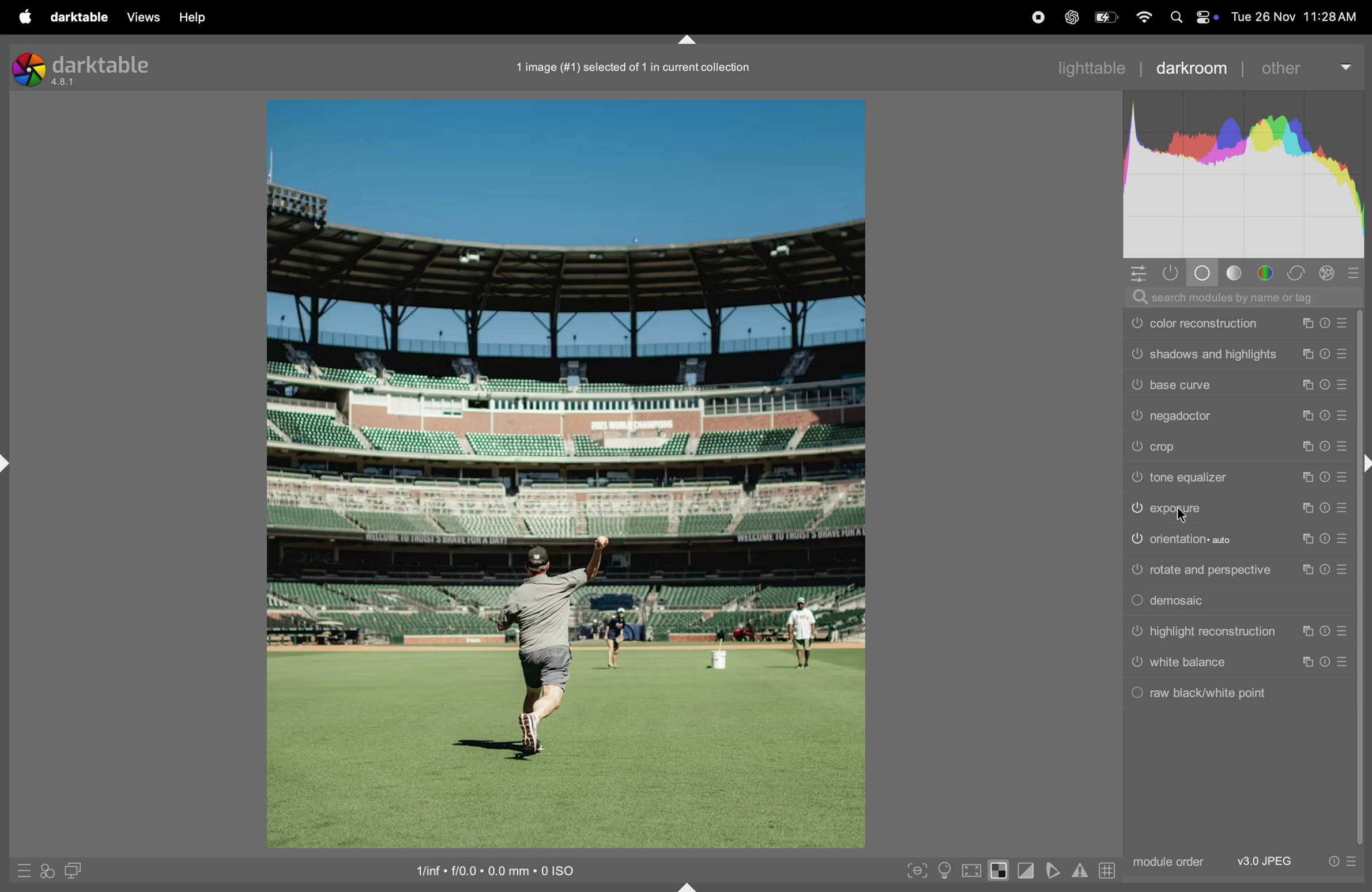  I want to click on record, so click(1037, 17).